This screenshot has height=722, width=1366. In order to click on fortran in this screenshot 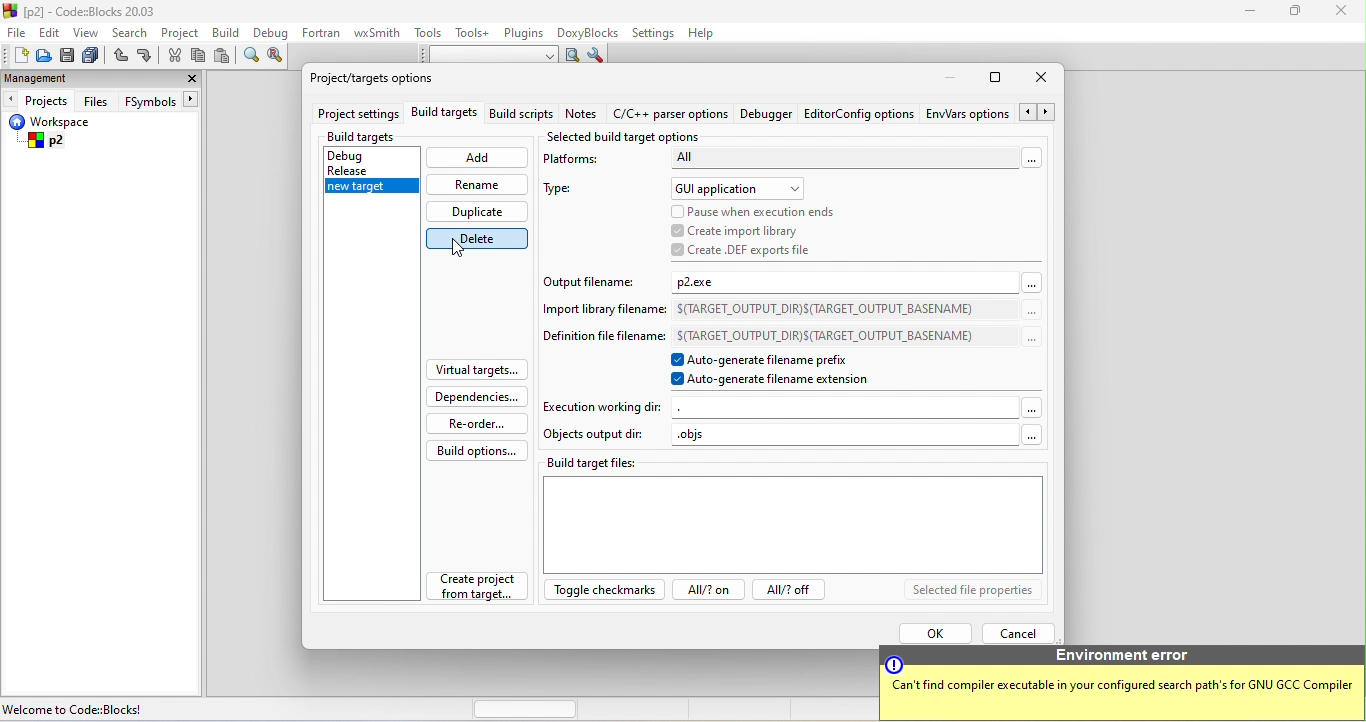, I will do `click(324, 36)`.